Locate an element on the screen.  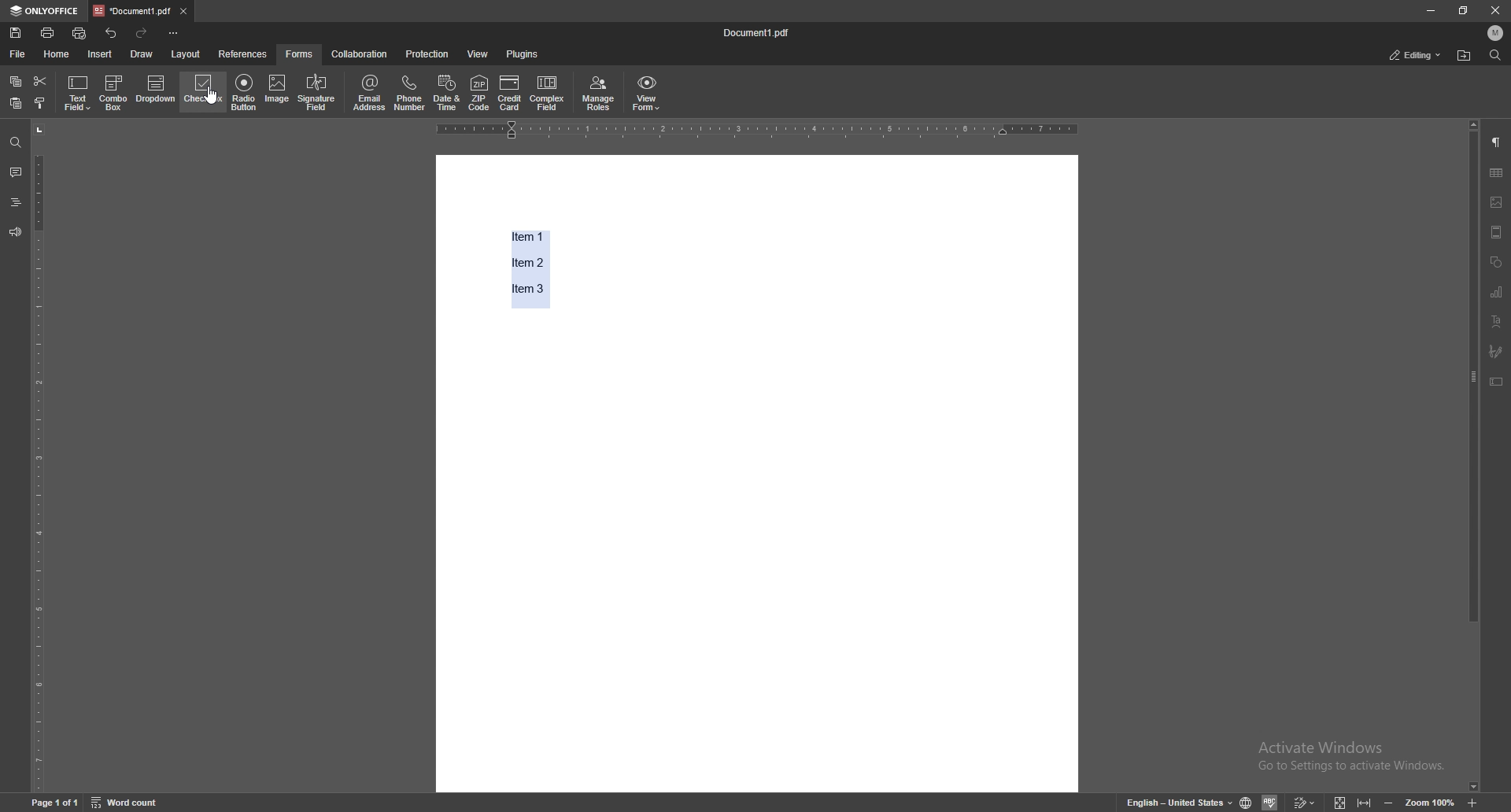
text box is located at coordinates (1498, 382).